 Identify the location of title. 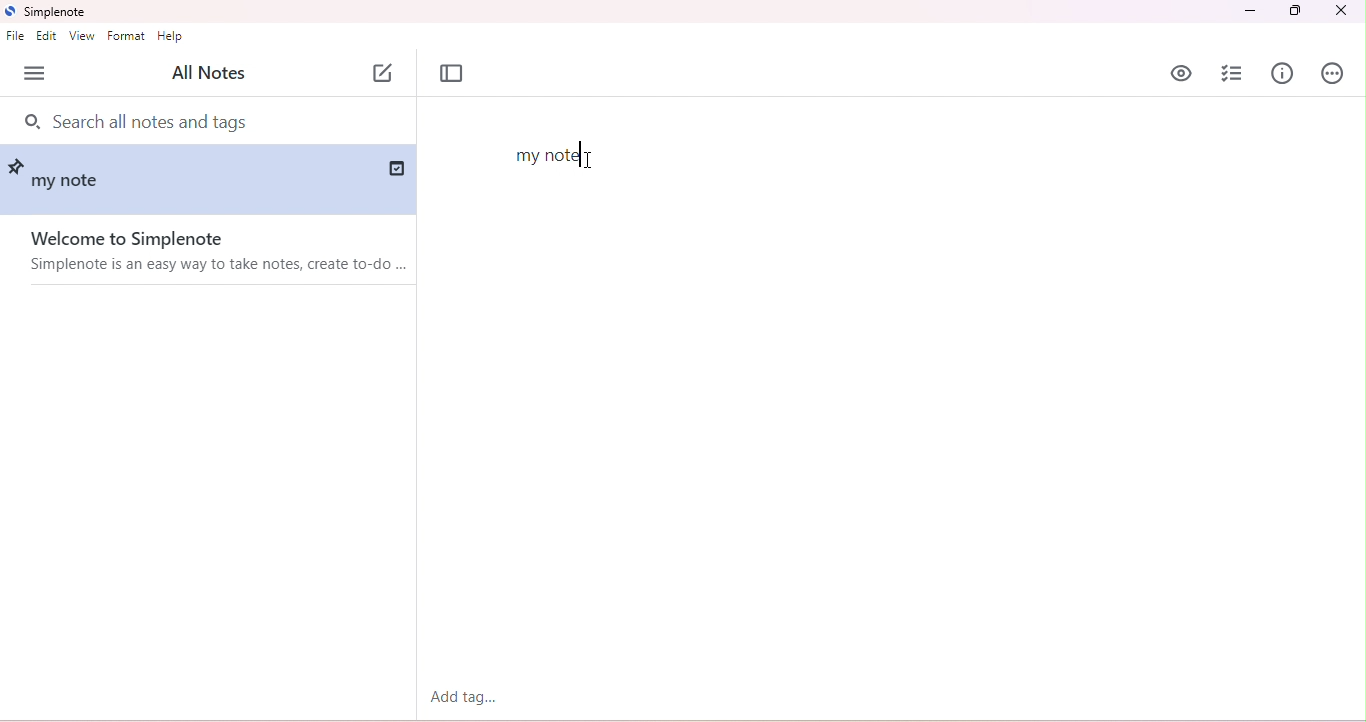
(49, 12).